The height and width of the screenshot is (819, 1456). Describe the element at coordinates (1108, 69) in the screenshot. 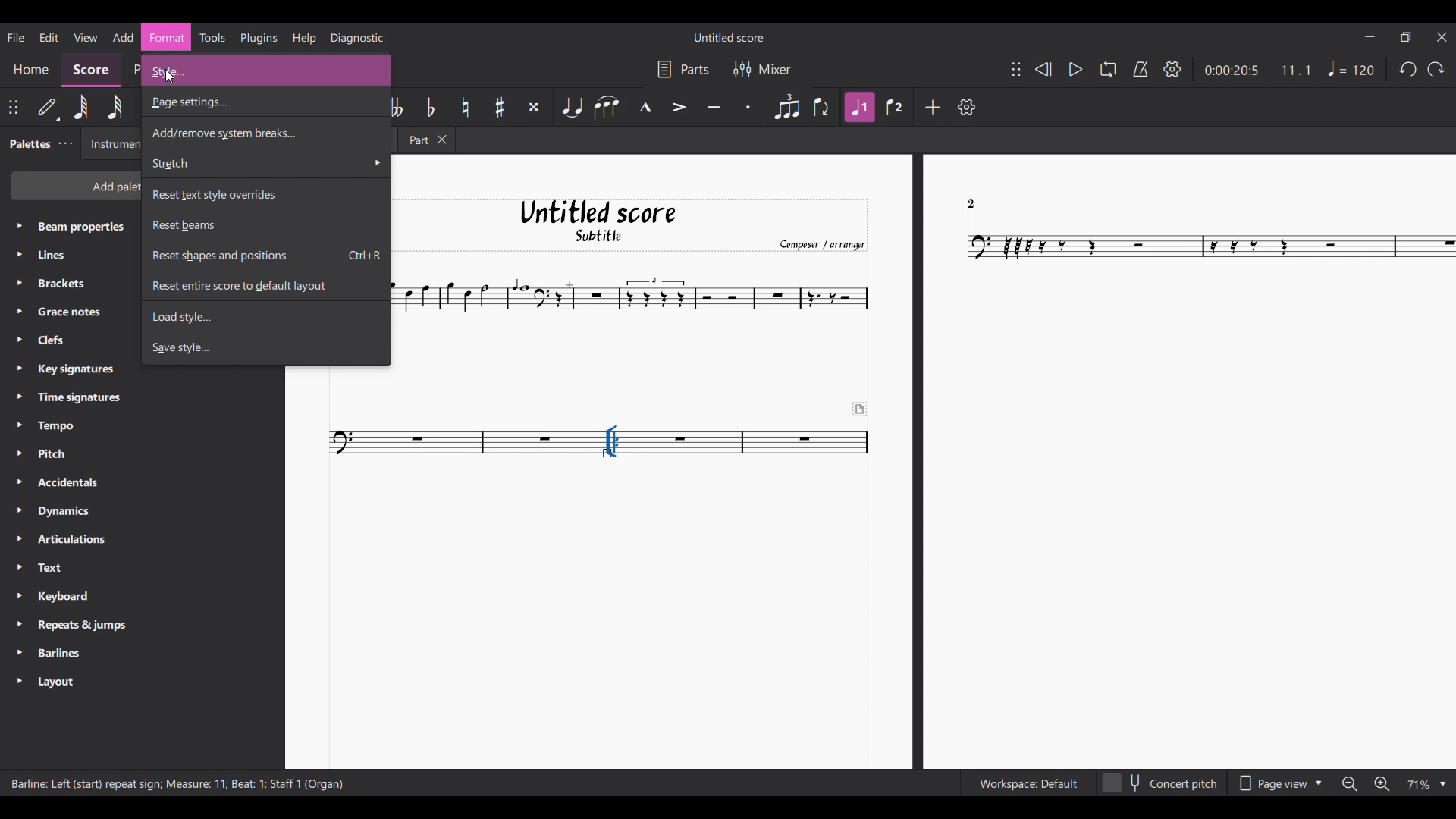

I see `Loop playback` at that location.